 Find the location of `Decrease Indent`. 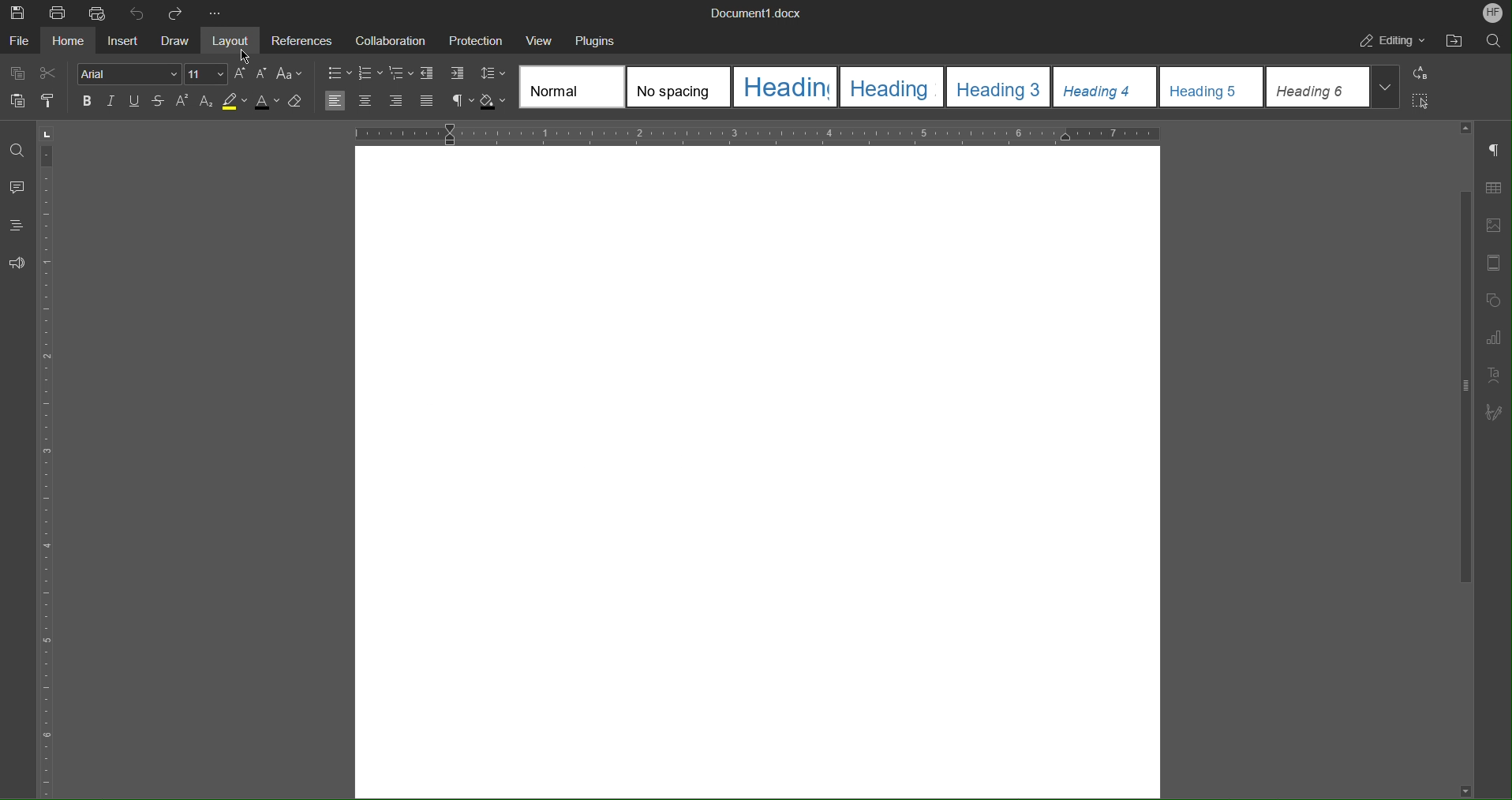

Decrease Indent is located at coordinates (429, 75).